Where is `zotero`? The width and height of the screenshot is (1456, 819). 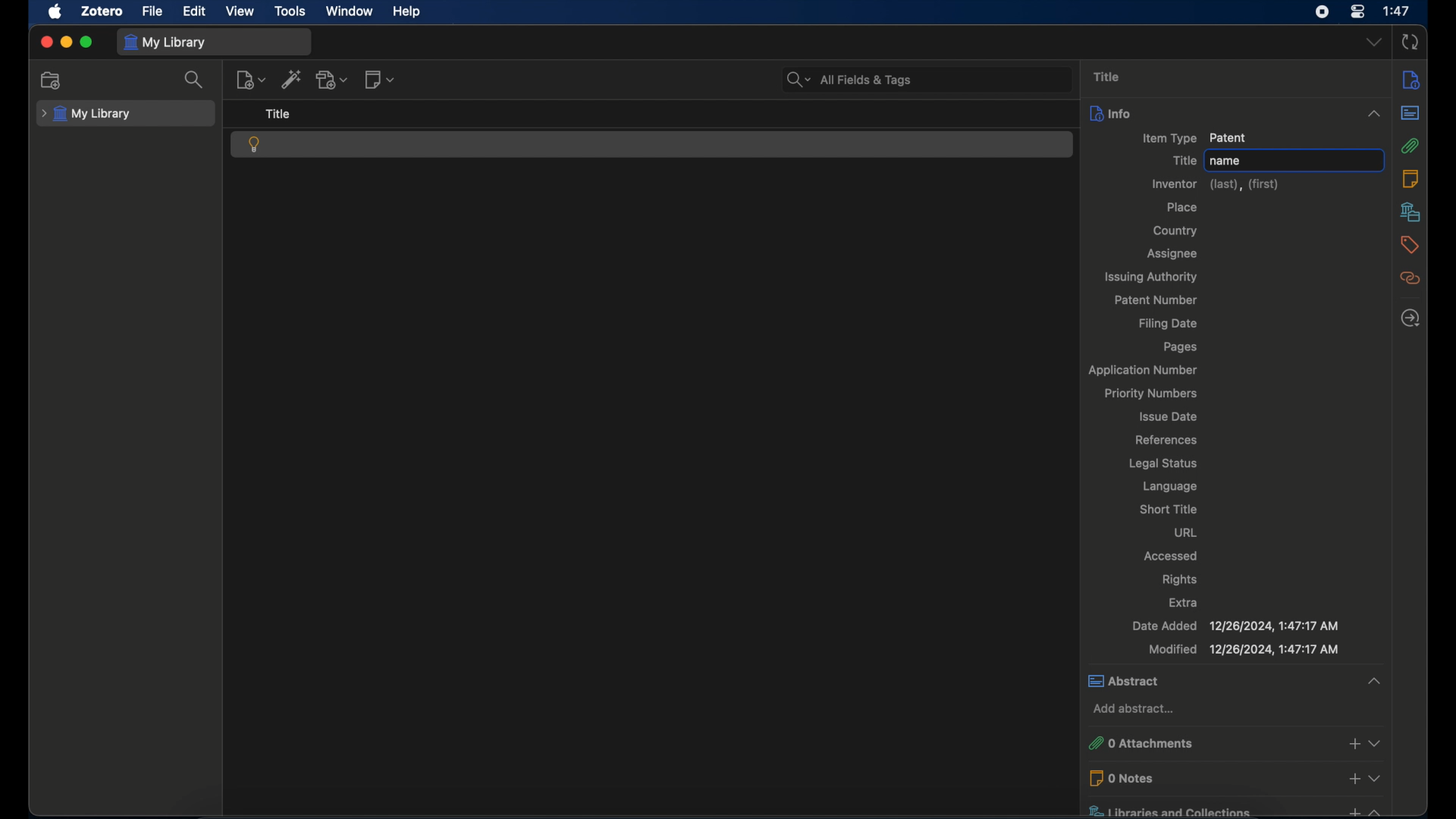
zotero is located at coordinates (101, 11).